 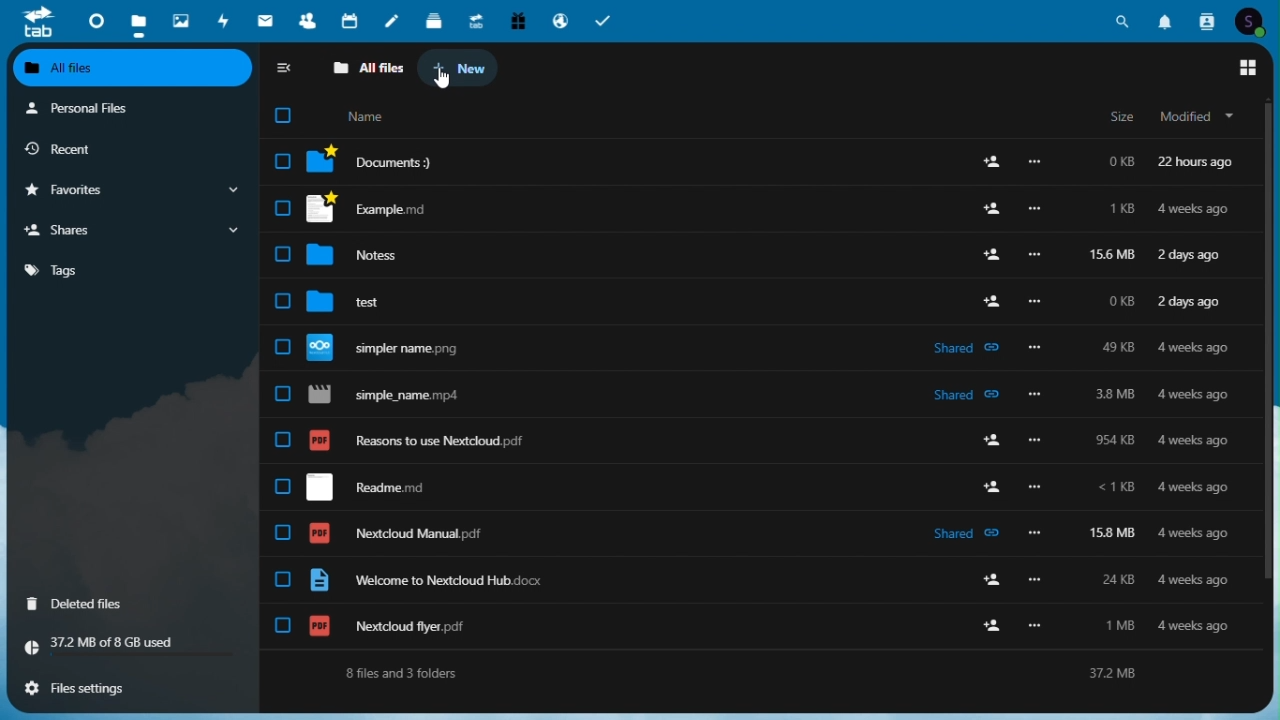 What do you see at coordinates (1037, 301) in the screenshot?
I see `more options` at bounding box center [1037, 301].